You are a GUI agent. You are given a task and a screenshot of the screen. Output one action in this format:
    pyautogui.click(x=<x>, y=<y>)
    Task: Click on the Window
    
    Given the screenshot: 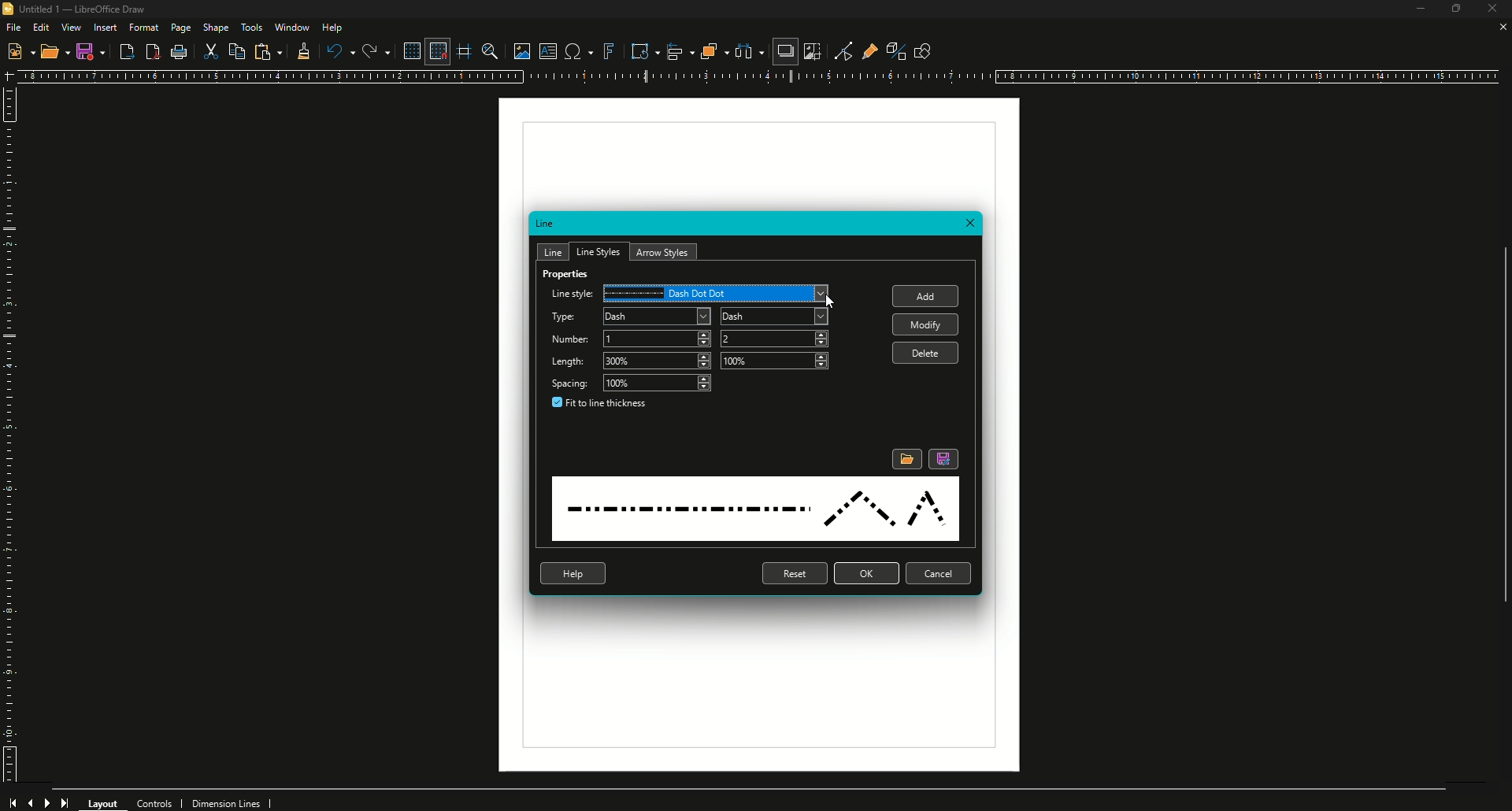 What is the action you would take?
    pyautogui.click(x=291, y=27)
    